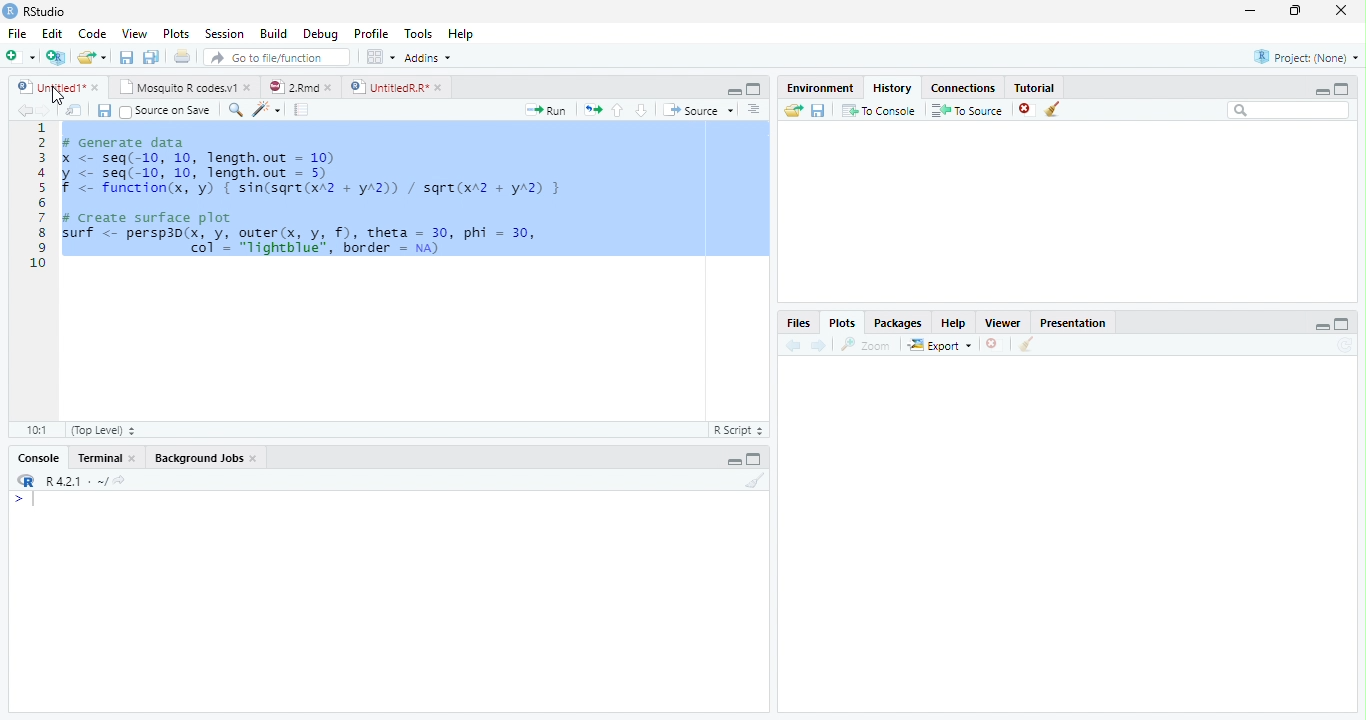  Describe the element at coordinates (34, 11) in the screenshot. I see `RStudio` at that location.